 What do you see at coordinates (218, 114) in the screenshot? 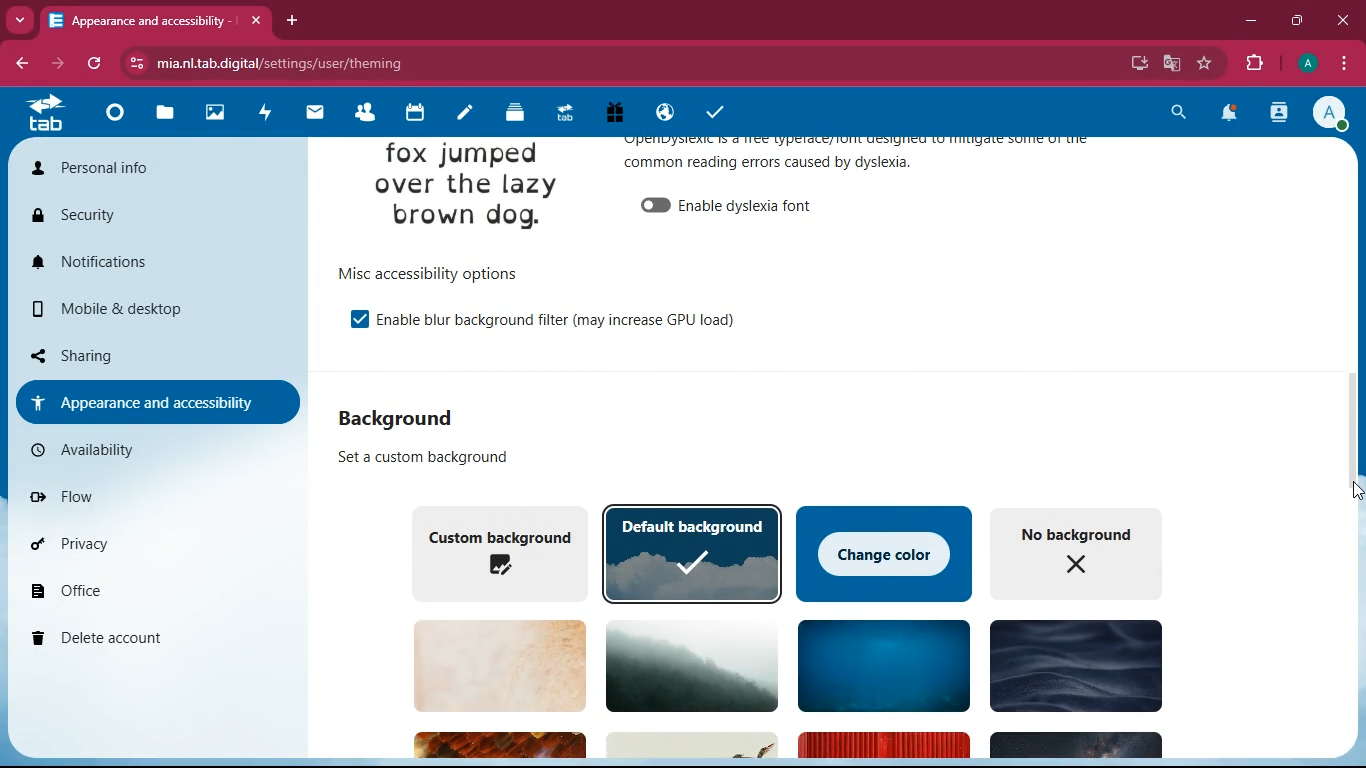
I see `images` at bounding box center [218, 114].